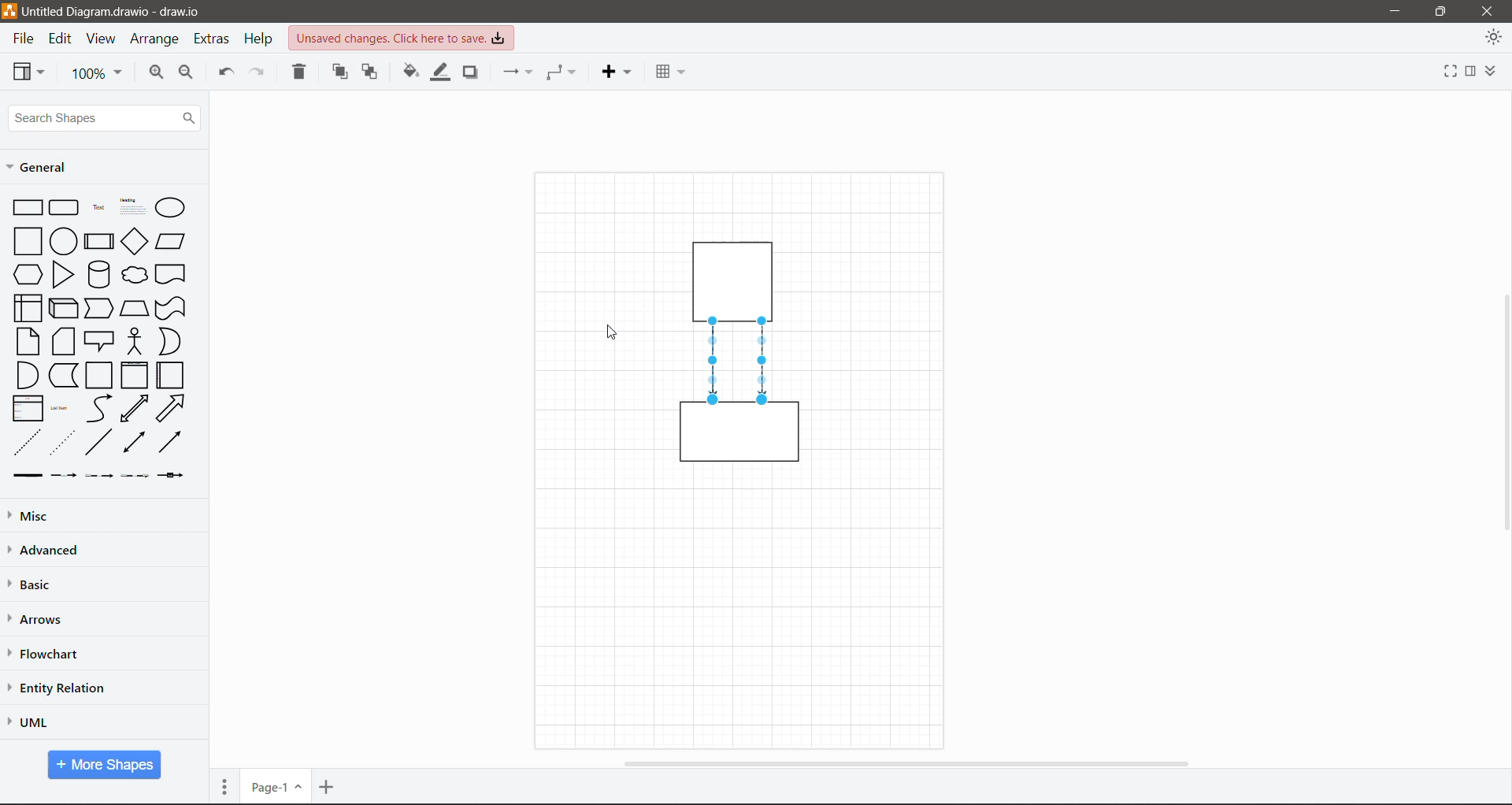  What do you see at coordinates (64, 515) in the screenshot?
I see `Misc` at bounding box center [64, 515].